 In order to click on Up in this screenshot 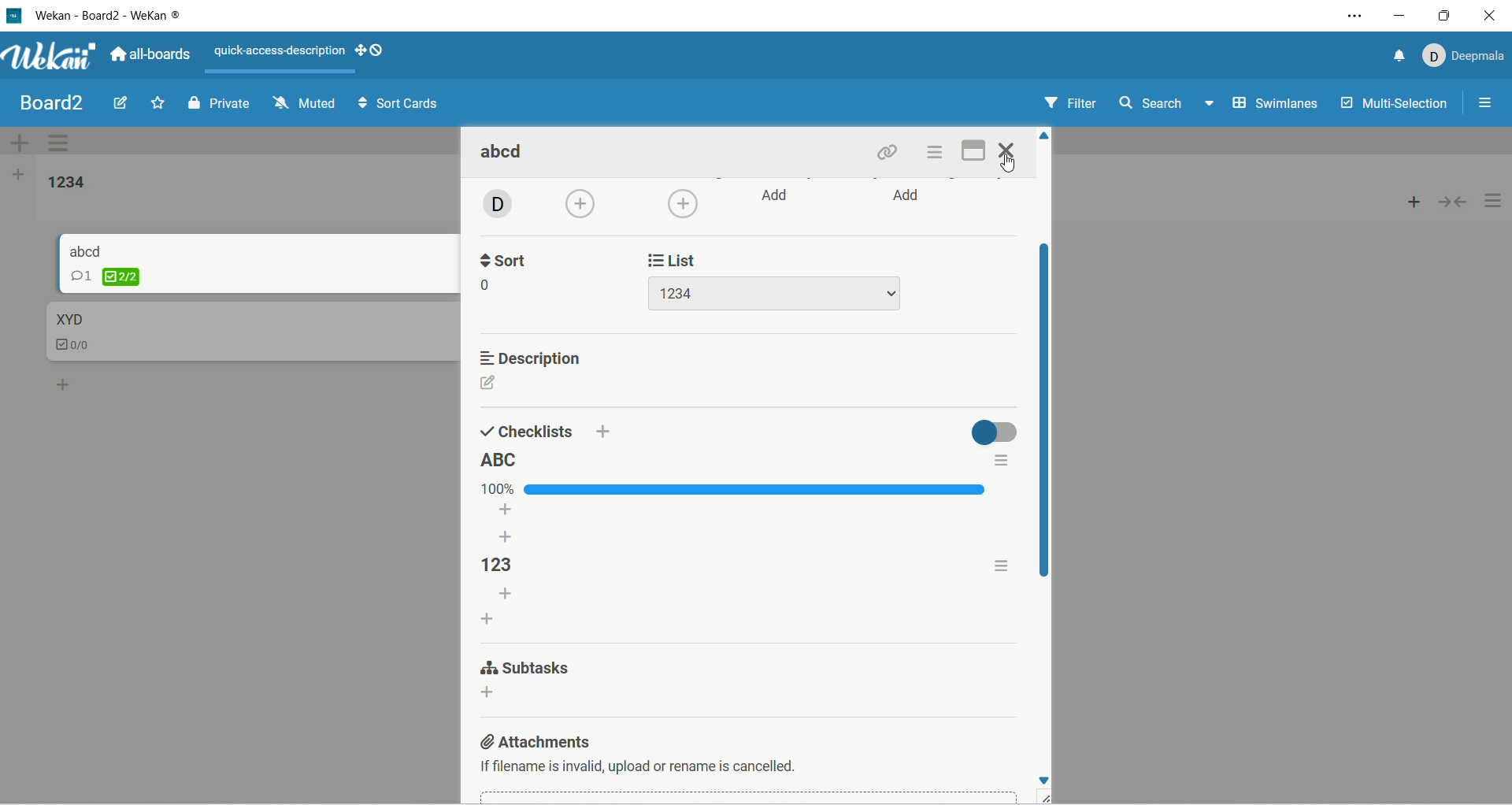, I will do `click(1045, 135)`.